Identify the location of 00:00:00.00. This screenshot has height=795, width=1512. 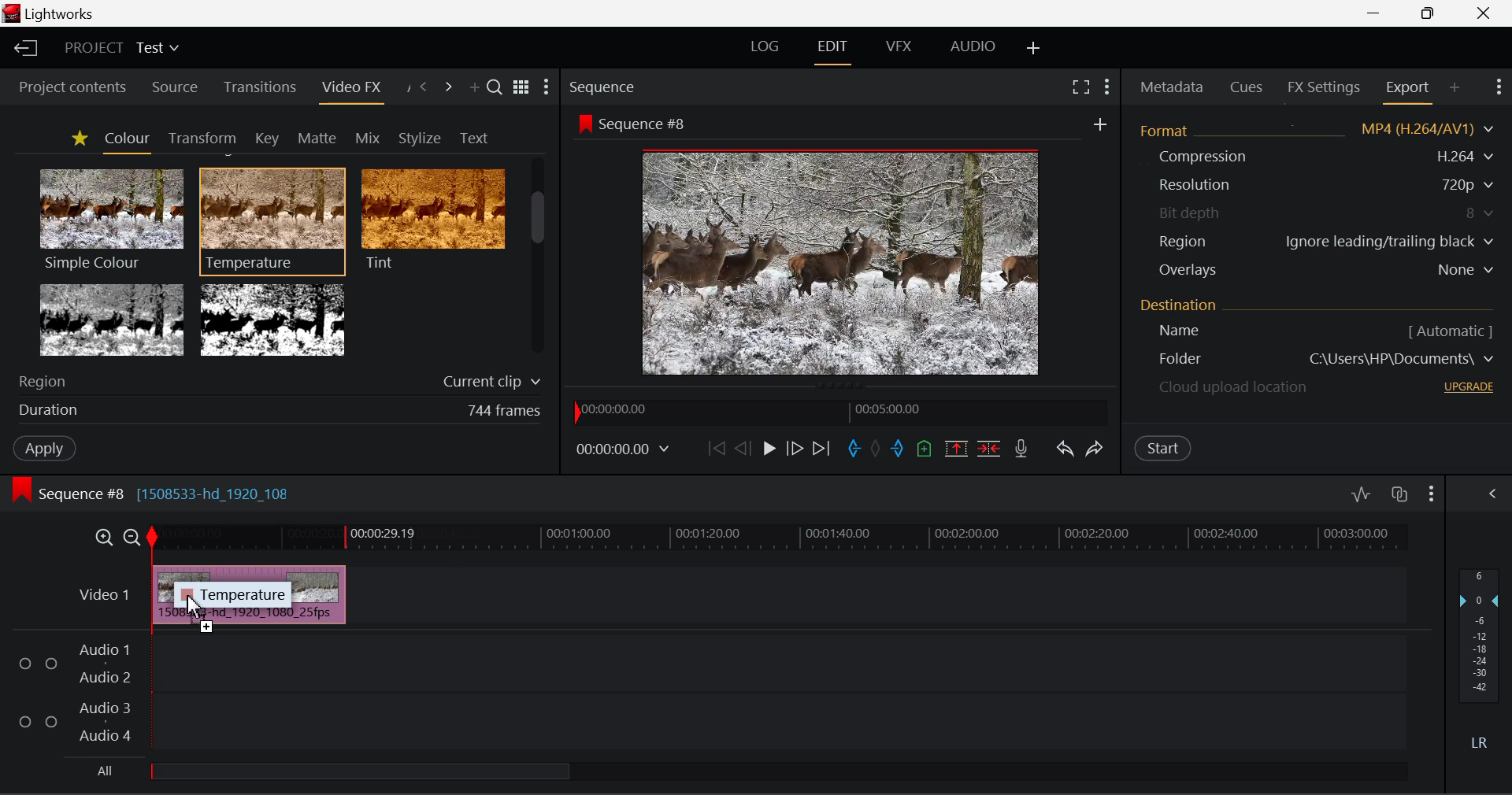
(617, 410).